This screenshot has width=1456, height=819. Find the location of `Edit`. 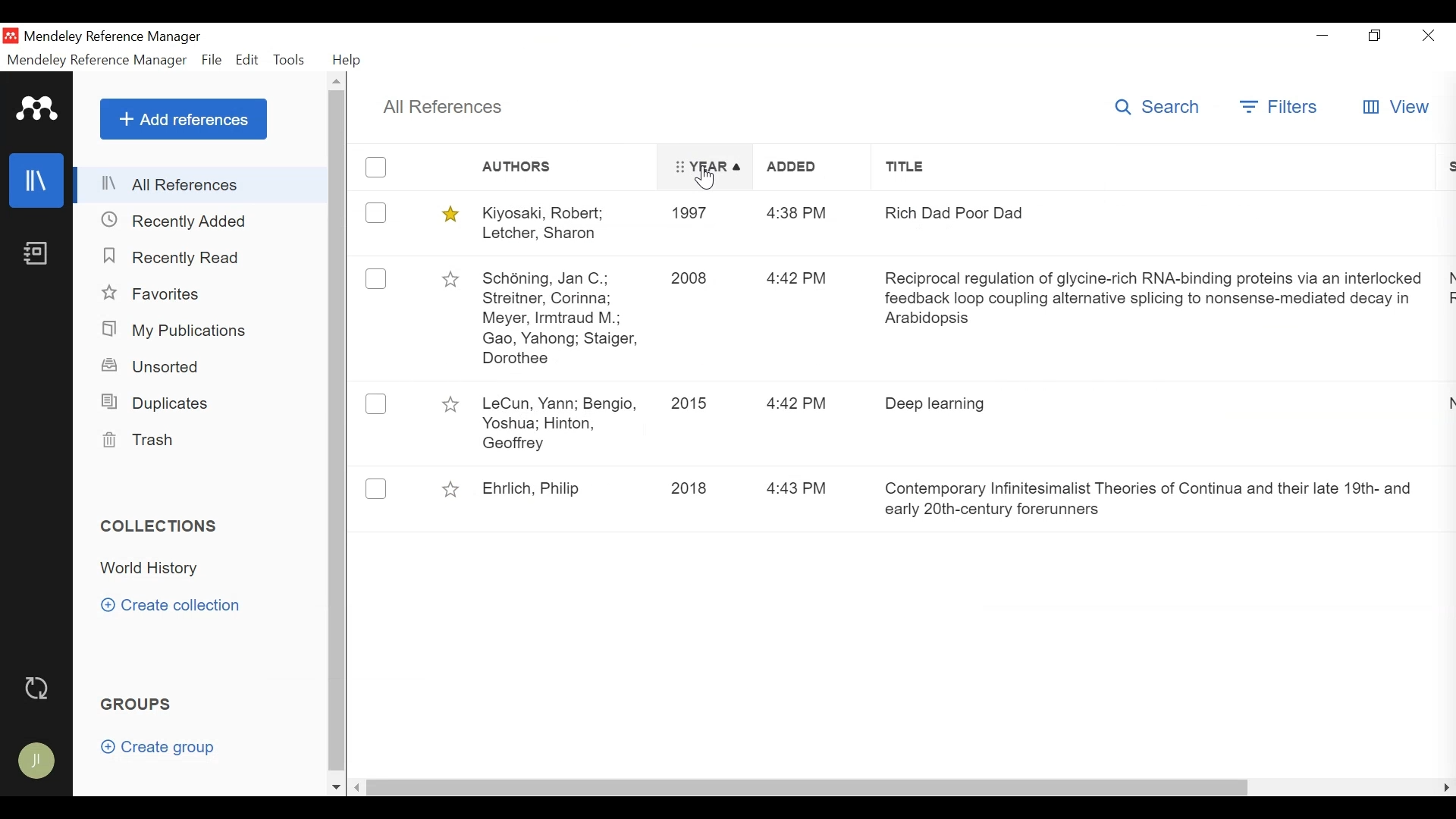

Edit is located at coordinates (245, 60).